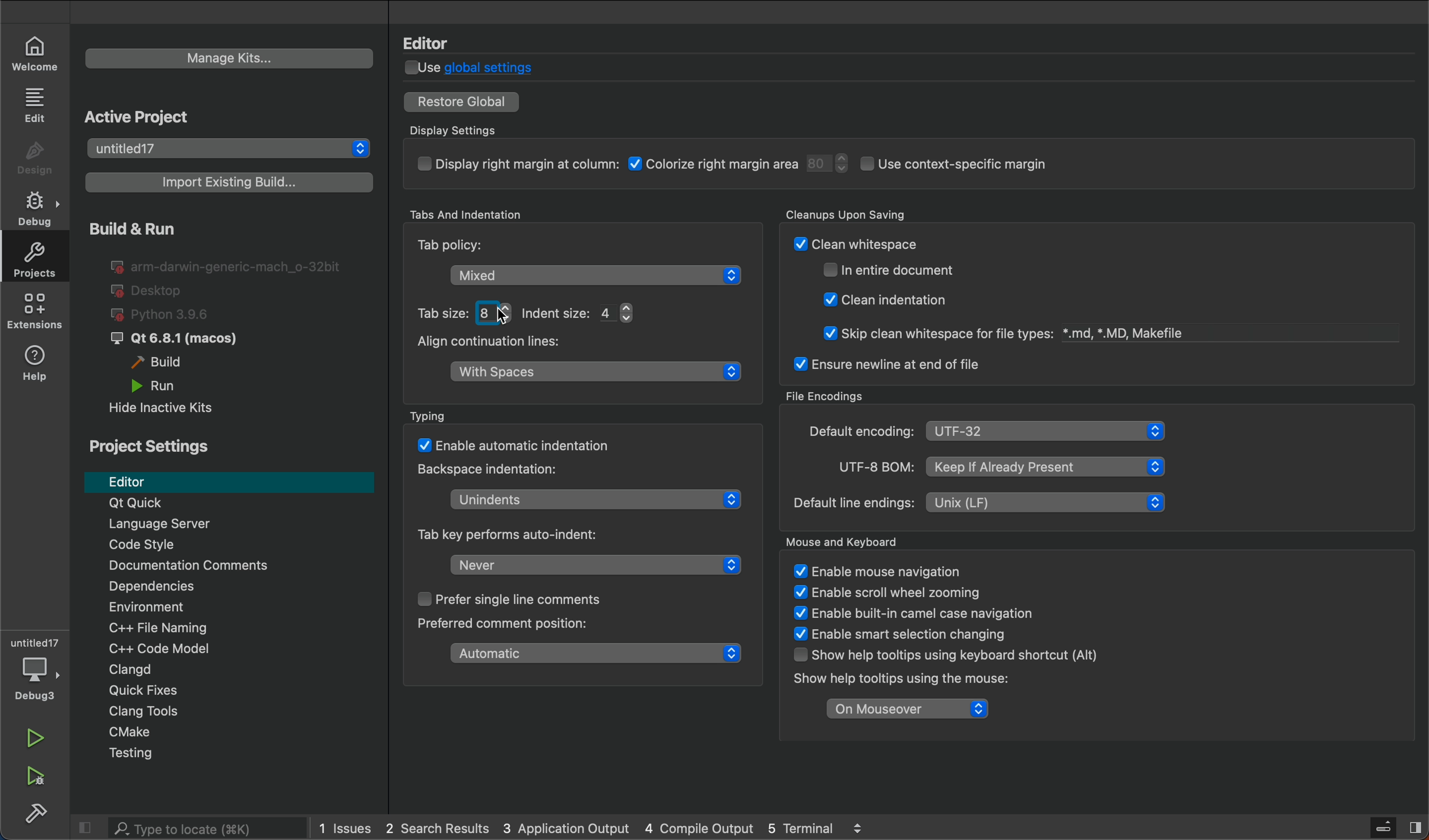 Image resolution: width=1429 pixels, height=840 pixels. What do you see at coordinates (231, 58) in the screenshot?
I see `manage kits` at bounding box center [231, 58].